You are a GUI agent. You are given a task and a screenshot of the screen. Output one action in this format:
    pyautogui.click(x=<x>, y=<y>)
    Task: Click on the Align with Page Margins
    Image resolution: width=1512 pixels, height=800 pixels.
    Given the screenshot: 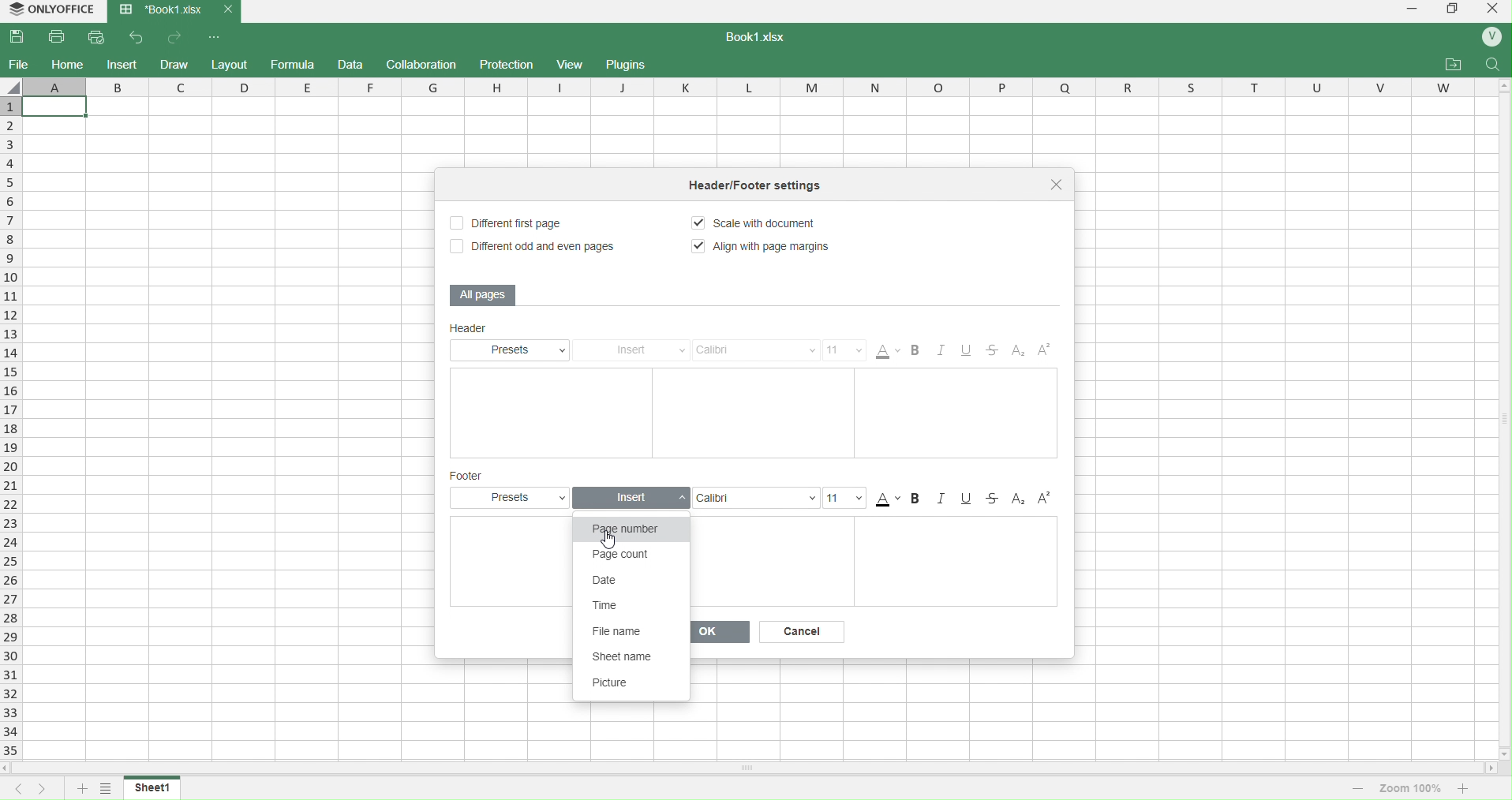 What is the action you would take?
    pyautogui.click(x=764, y=247)
    